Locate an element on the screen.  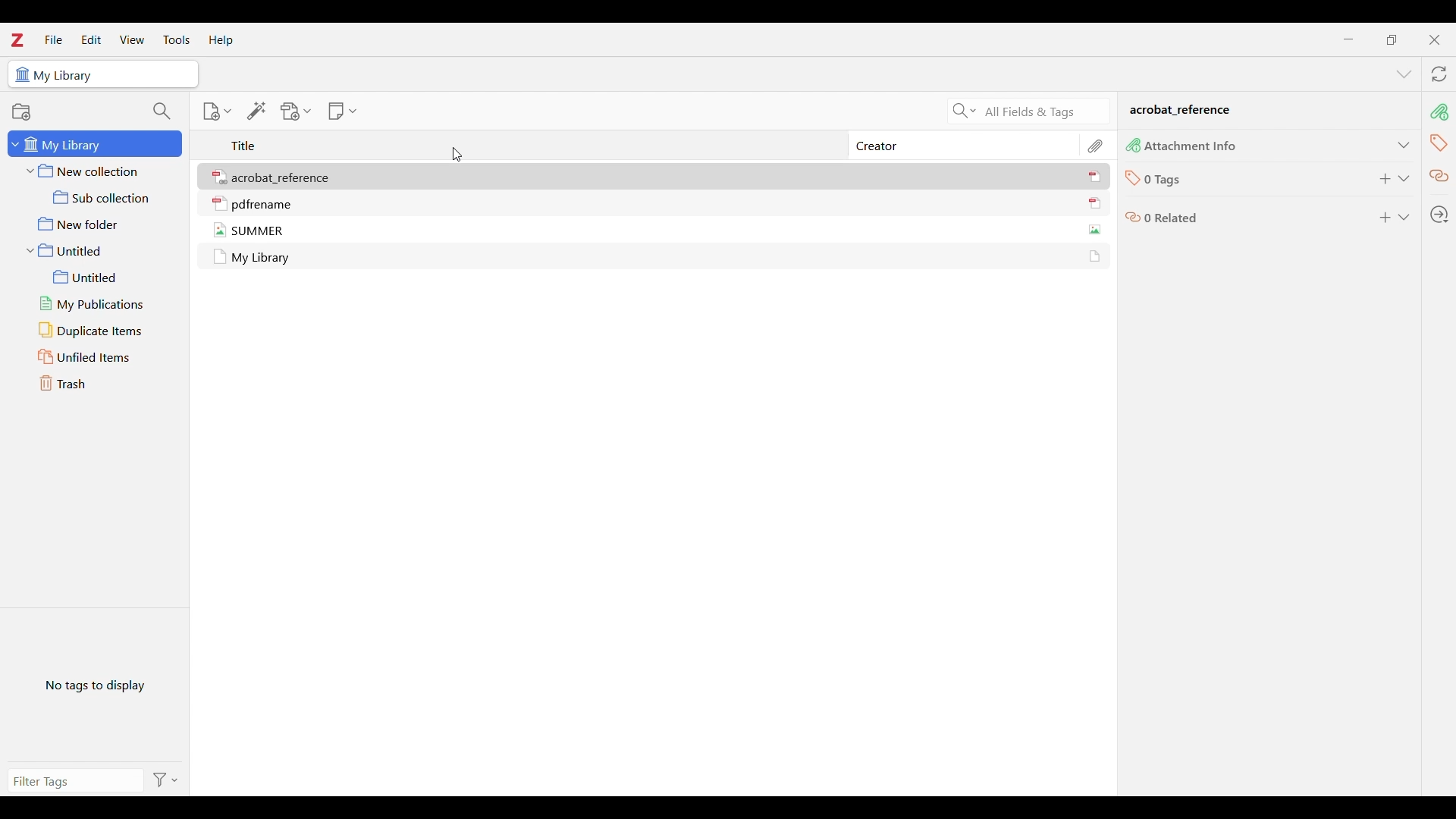
Add new collection is located at coordinates (20, 111).